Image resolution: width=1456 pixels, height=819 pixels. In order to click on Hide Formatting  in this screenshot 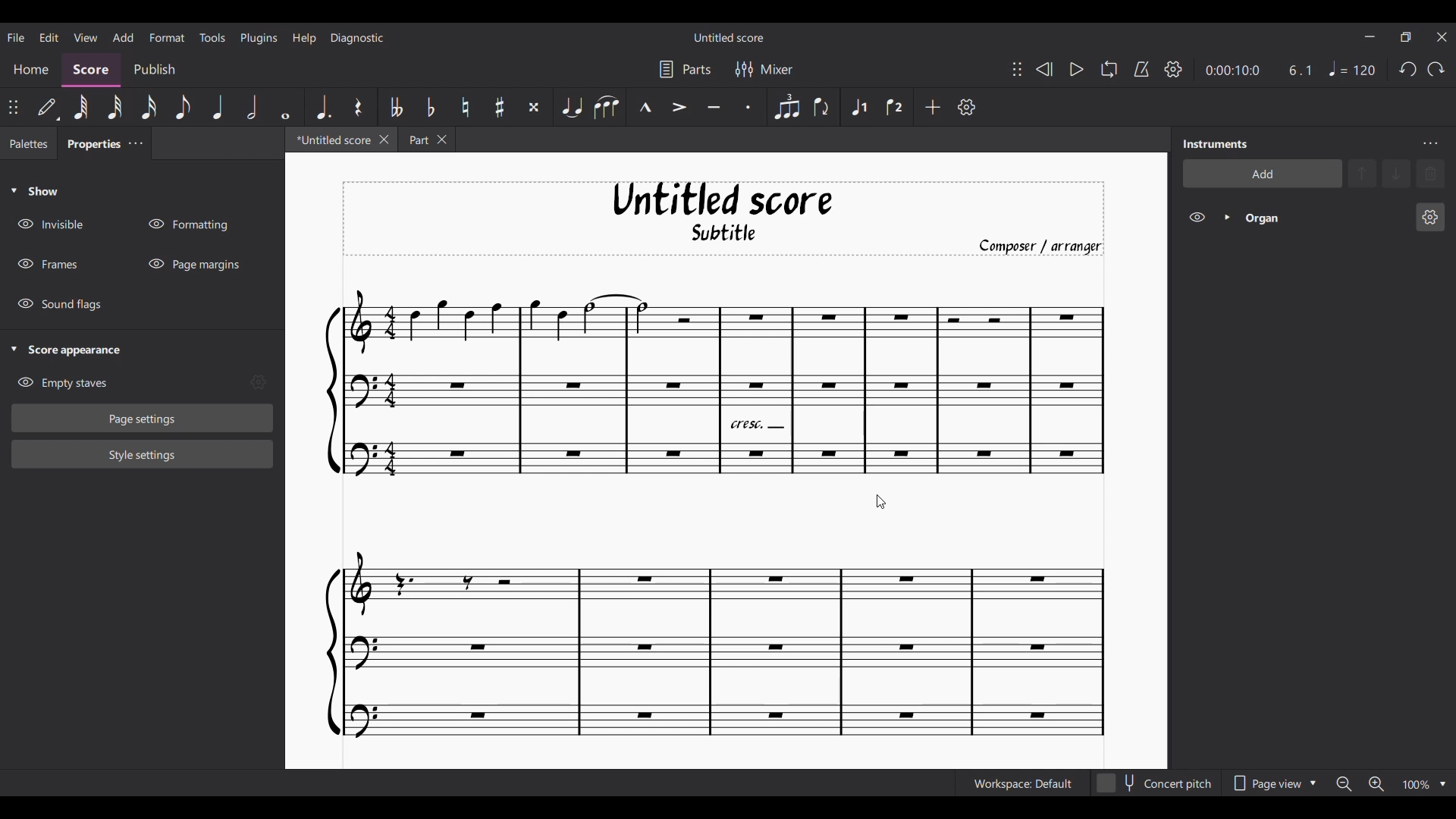, I will do `click(187, 224)`.